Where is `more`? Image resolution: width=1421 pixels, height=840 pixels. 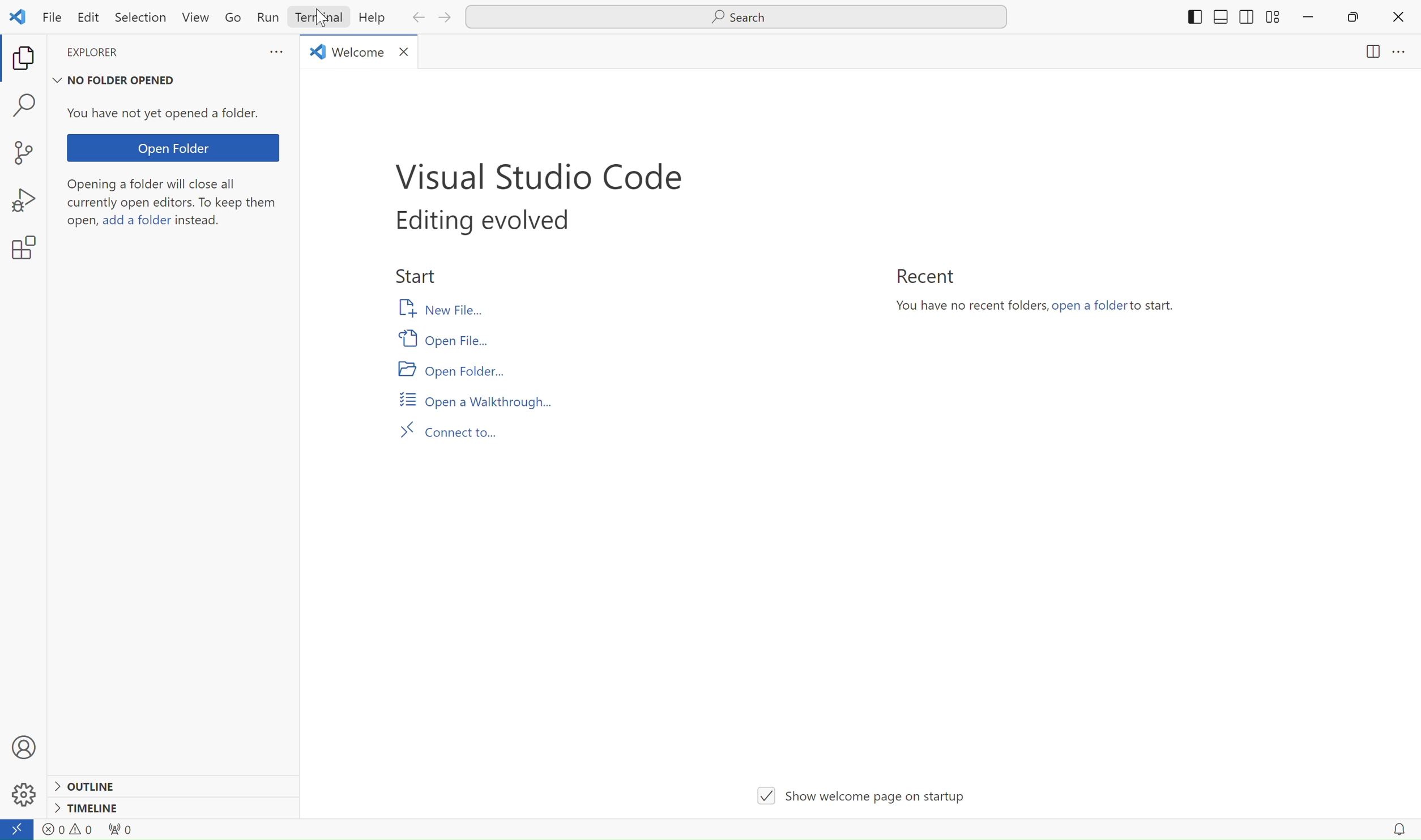 more is located at coordinates (276, 49).